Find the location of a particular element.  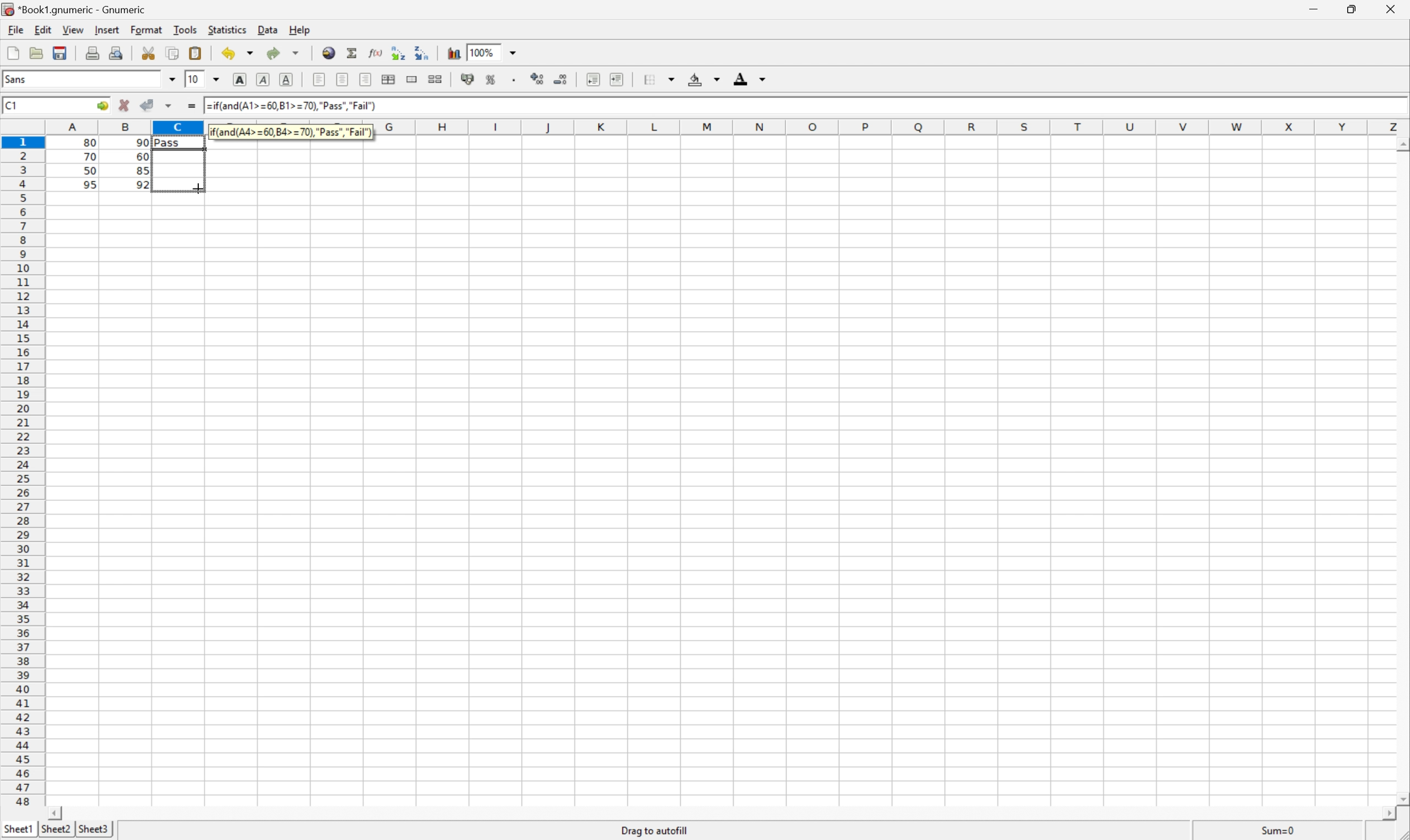

Insert is located at coordinates (108, 31).